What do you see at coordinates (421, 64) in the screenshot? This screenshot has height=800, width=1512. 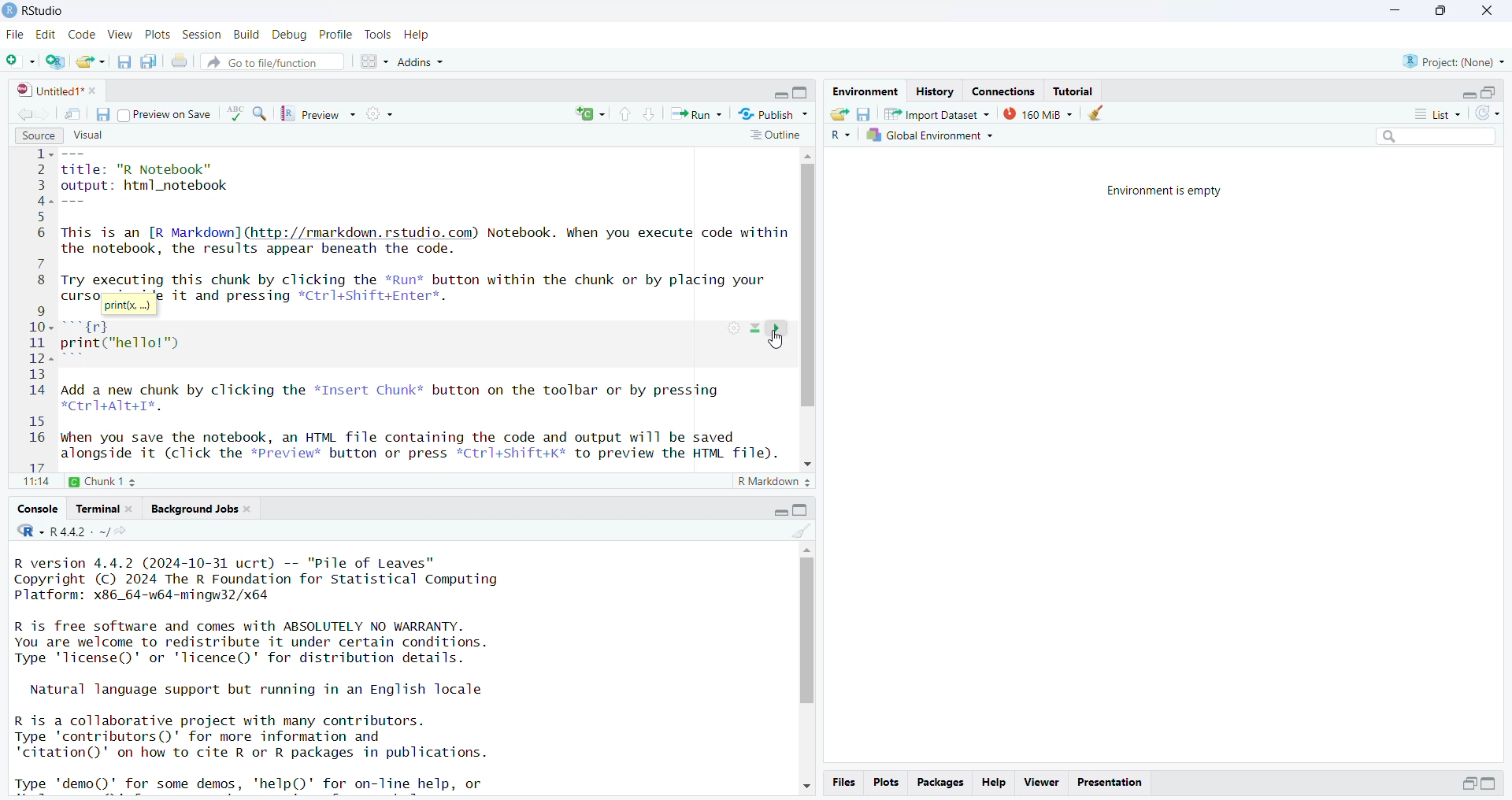 I see `Addins` at bounding box center [421, 64].